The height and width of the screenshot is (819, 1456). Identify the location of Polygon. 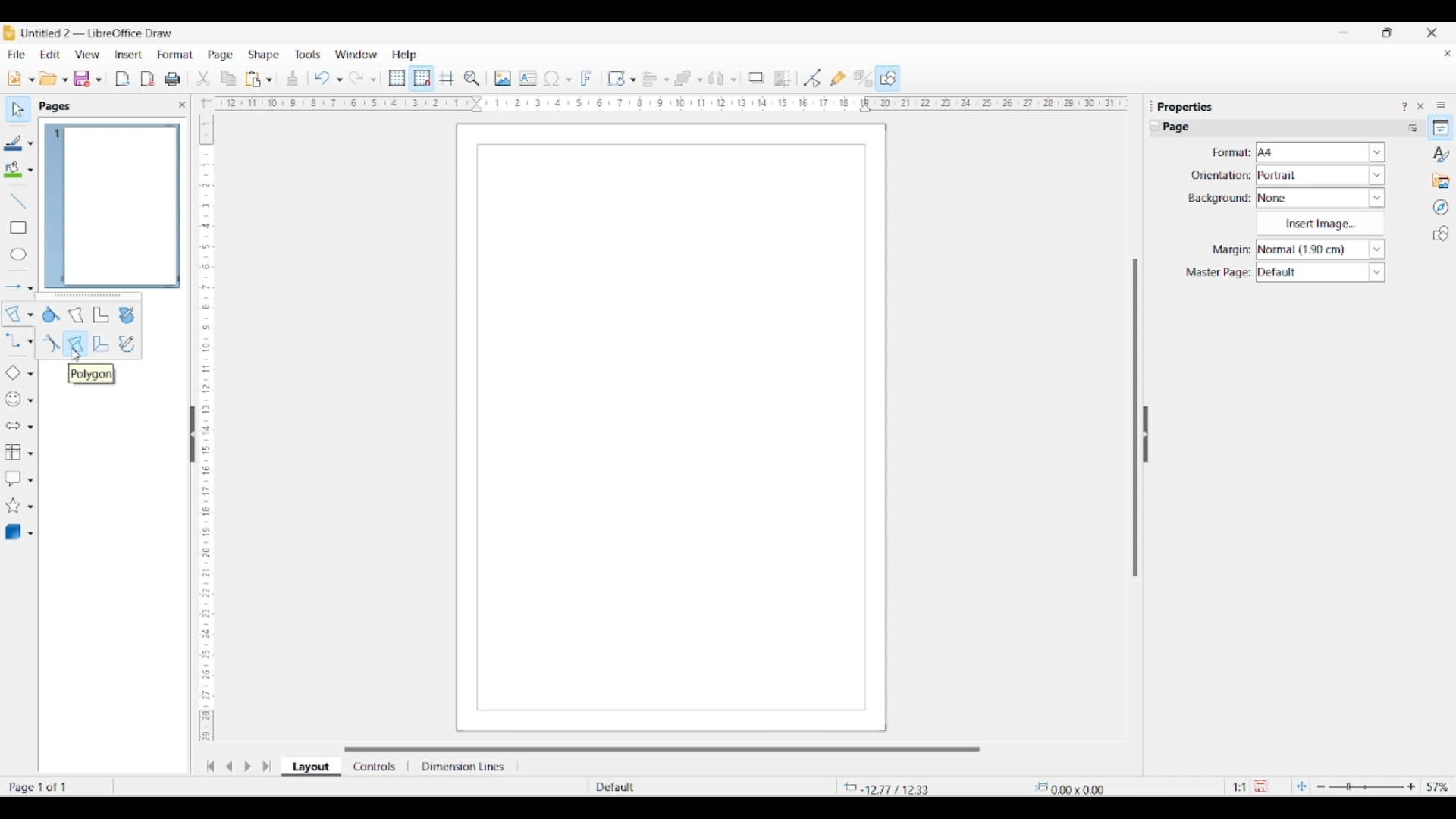
(76, 344).